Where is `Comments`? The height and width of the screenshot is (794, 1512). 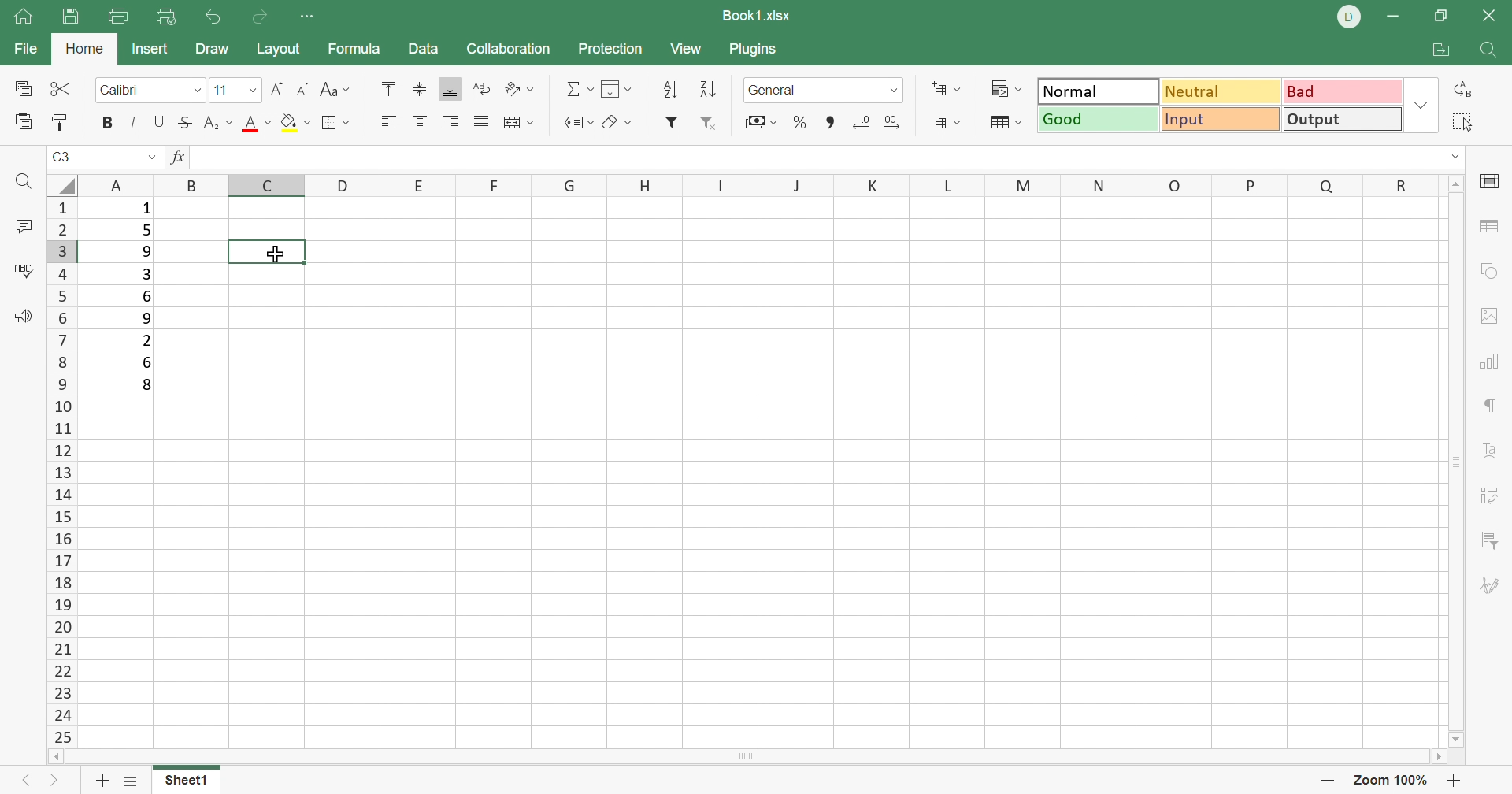 Comments is located at coordinates (26, 226).